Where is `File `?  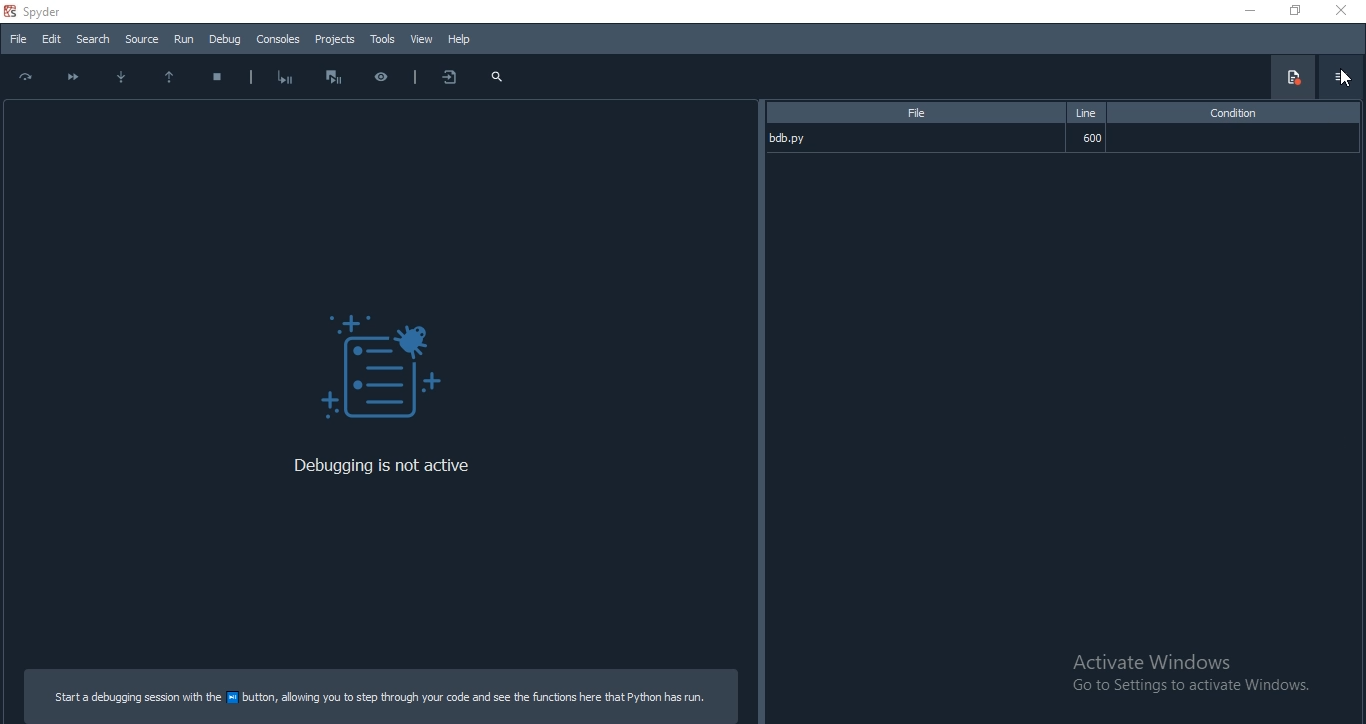
File  is located at coordinates (17, 41).